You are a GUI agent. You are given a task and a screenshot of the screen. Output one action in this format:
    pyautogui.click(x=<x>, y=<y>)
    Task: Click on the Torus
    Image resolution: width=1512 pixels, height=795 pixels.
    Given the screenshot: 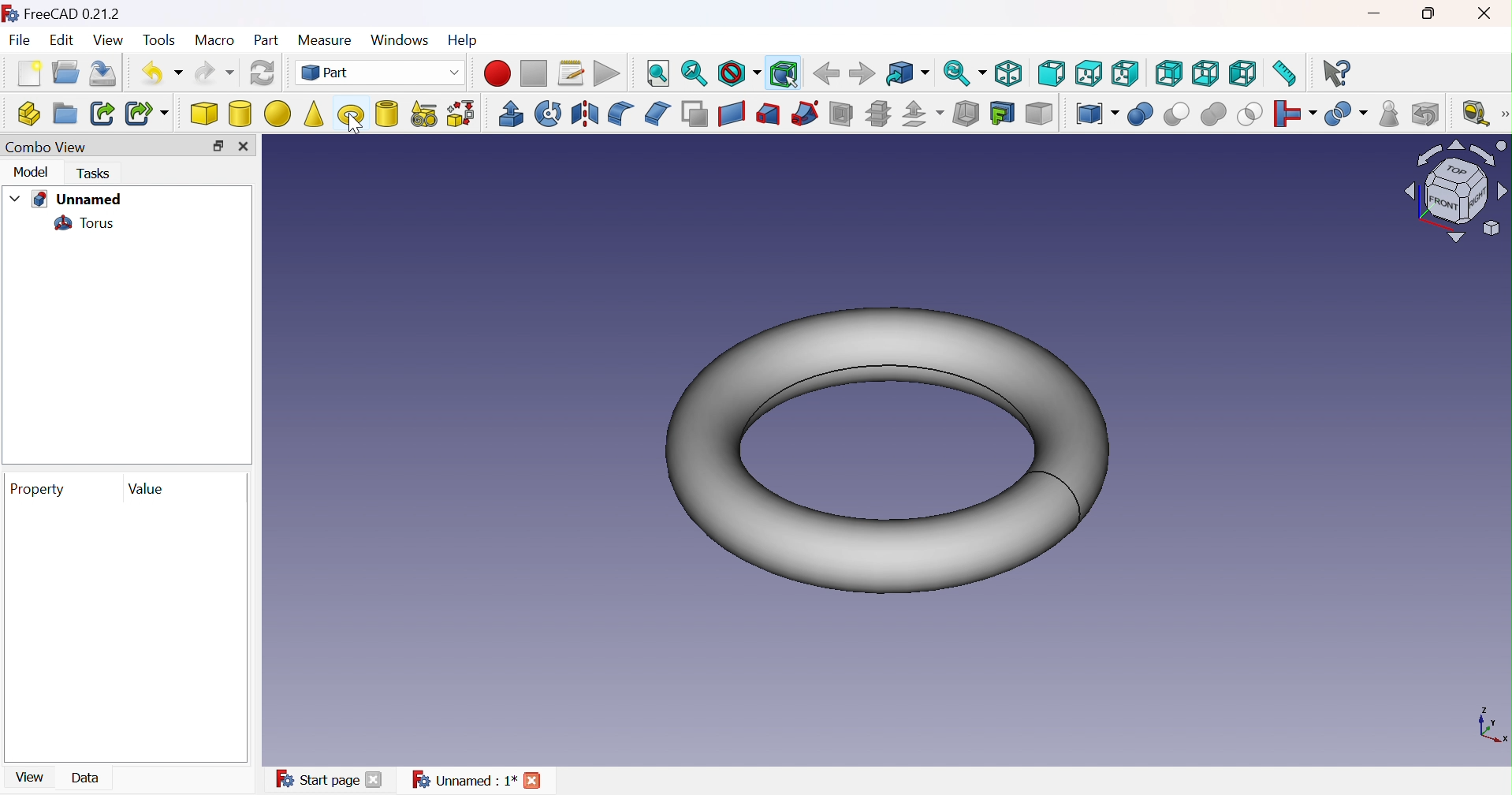 What is the action you would take?
    pyautogui.click(x=885, y=450)
    